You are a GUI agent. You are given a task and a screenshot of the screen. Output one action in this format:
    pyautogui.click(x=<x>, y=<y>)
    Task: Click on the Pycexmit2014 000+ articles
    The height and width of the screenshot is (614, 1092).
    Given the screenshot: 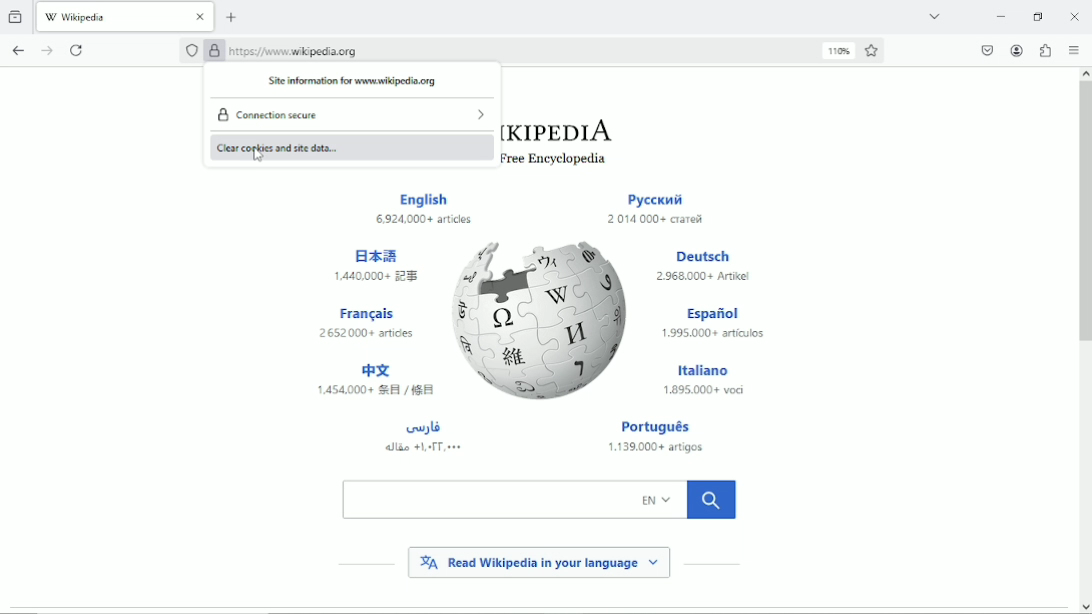 What is the action you would take?
    pyautogui.click(x=655, y=210)
    